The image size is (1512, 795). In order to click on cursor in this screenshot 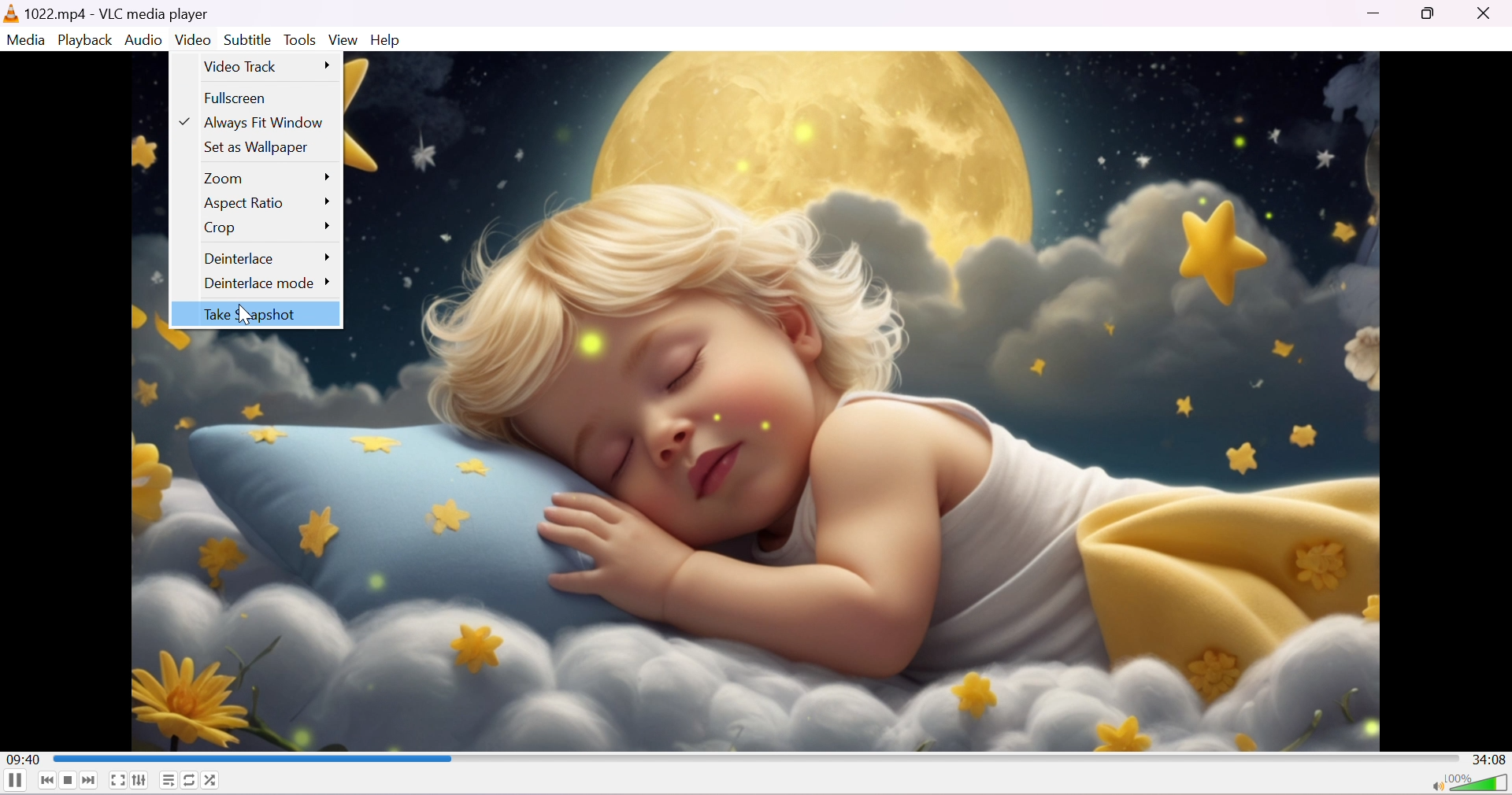, I will do `click(245, 315)`.